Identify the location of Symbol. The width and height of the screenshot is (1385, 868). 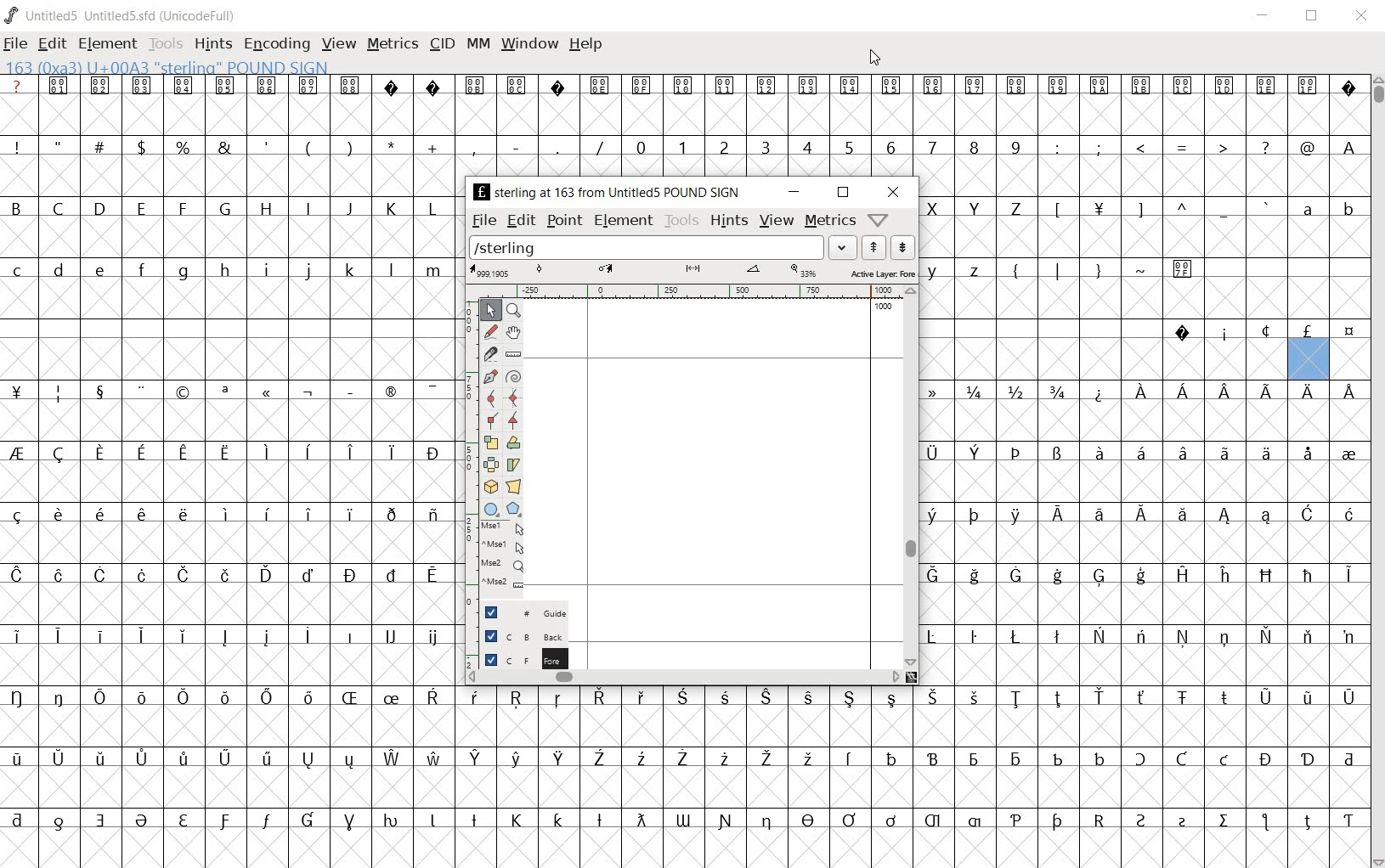
(1017, 85).